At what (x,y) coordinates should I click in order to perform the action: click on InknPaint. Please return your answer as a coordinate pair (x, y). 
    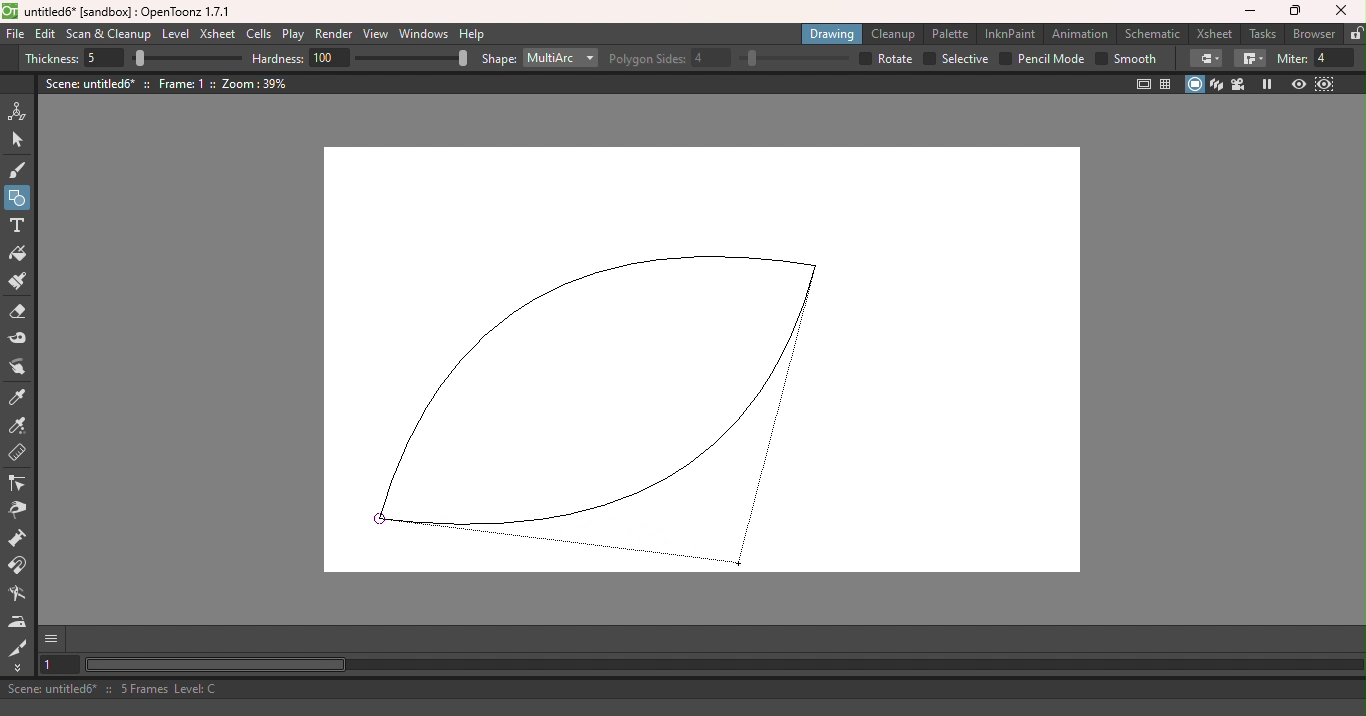
    Looking at the image, I should click on (1010, 34).